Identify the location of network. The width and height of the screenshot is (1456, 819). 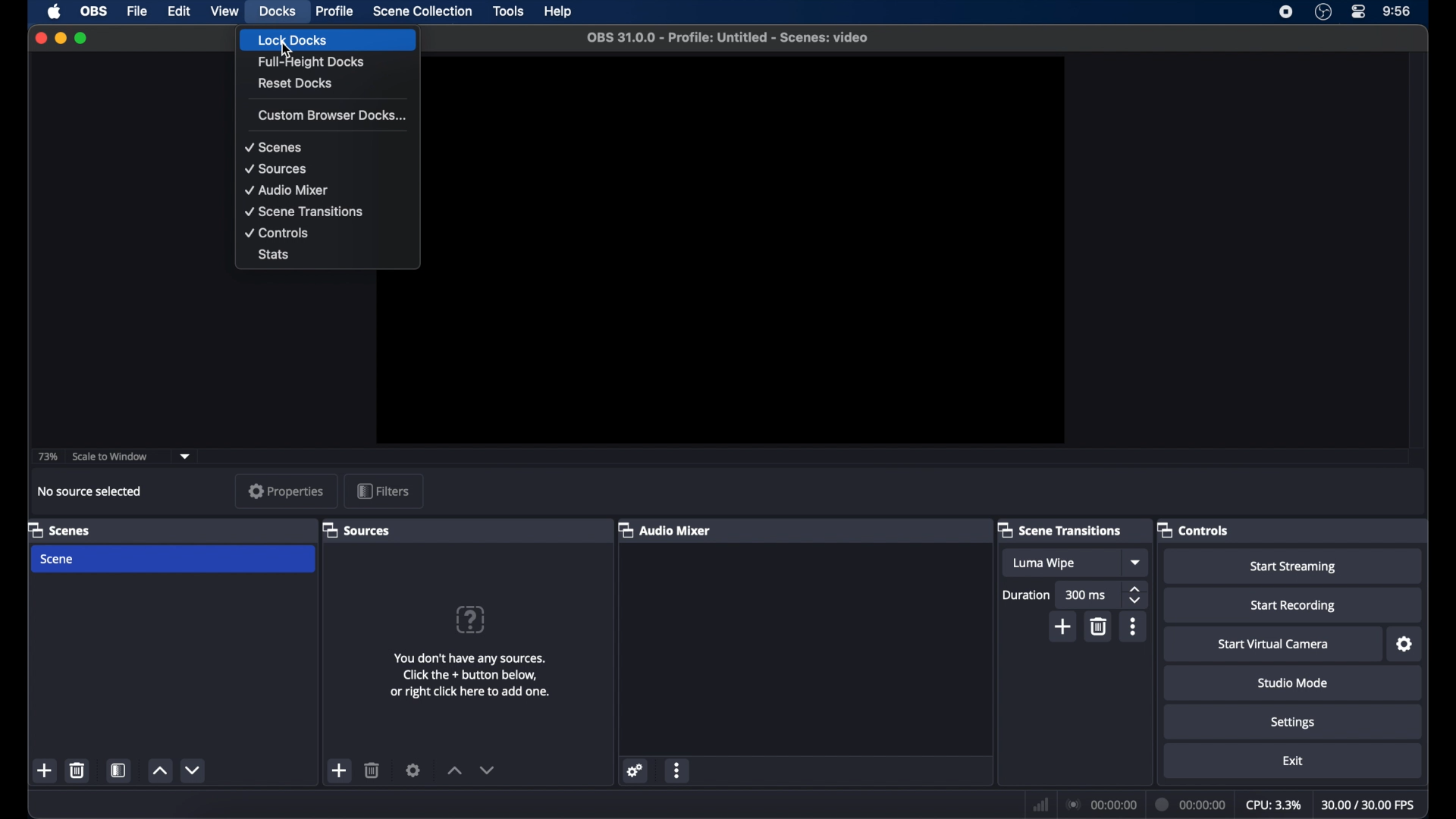
(1040, 805).